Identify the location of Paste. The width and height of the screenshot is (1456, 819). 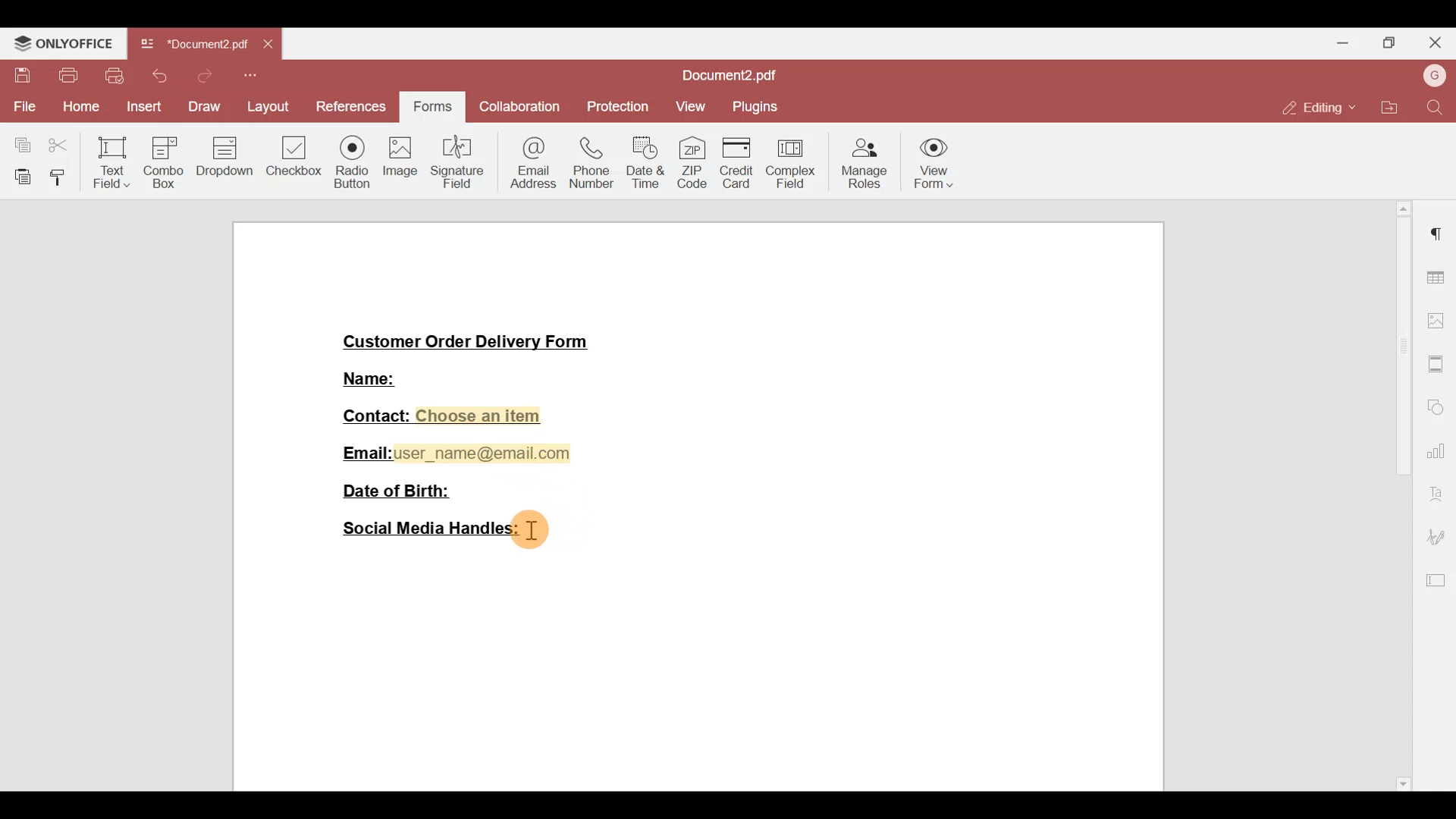
(17, 177).